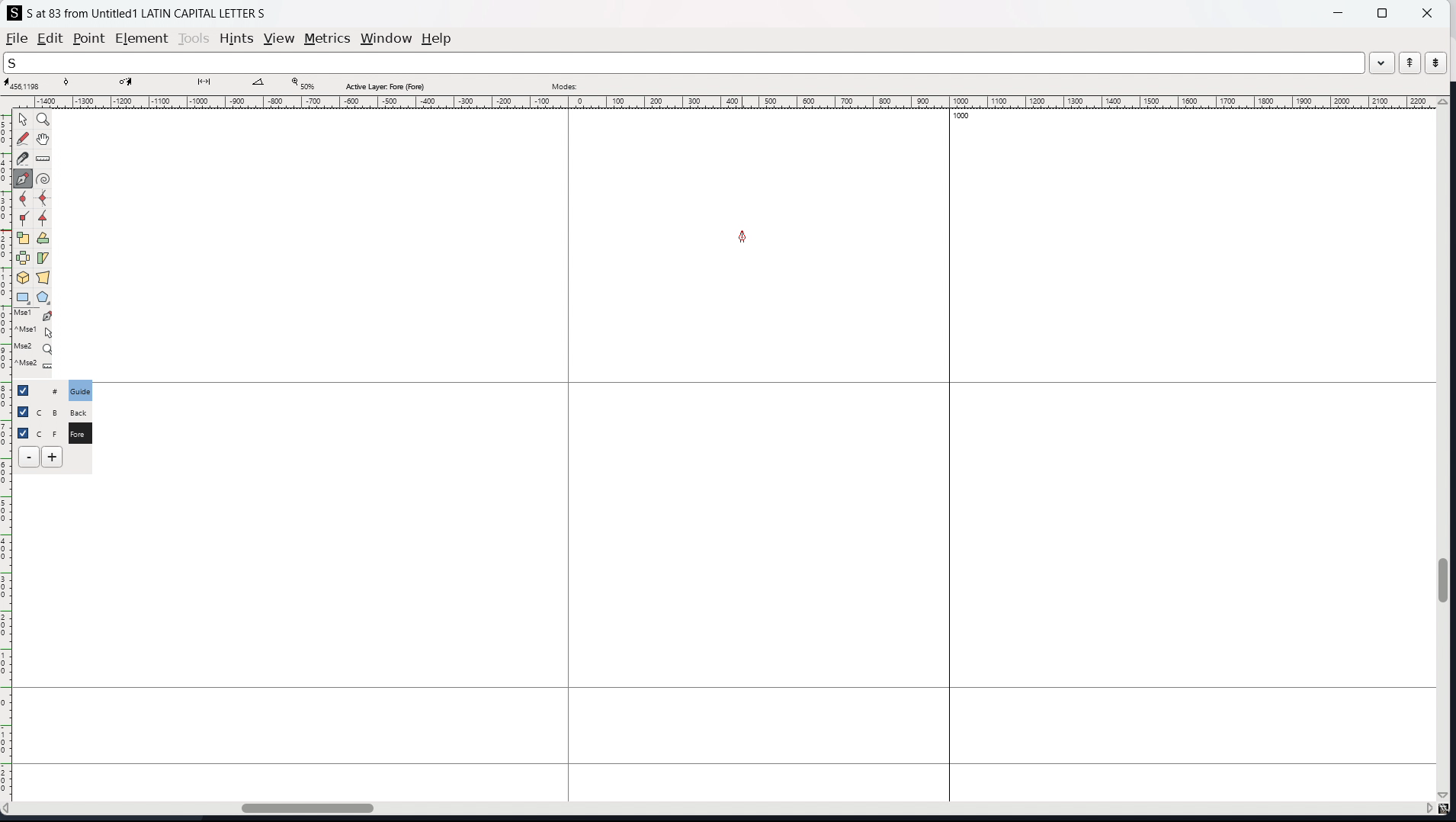 The height and width of the screenshot is (822, 1456). What do you see at coordinates (79, 432) in the screenshot?
I see `C F Fore` at bounding box center [79, 432].